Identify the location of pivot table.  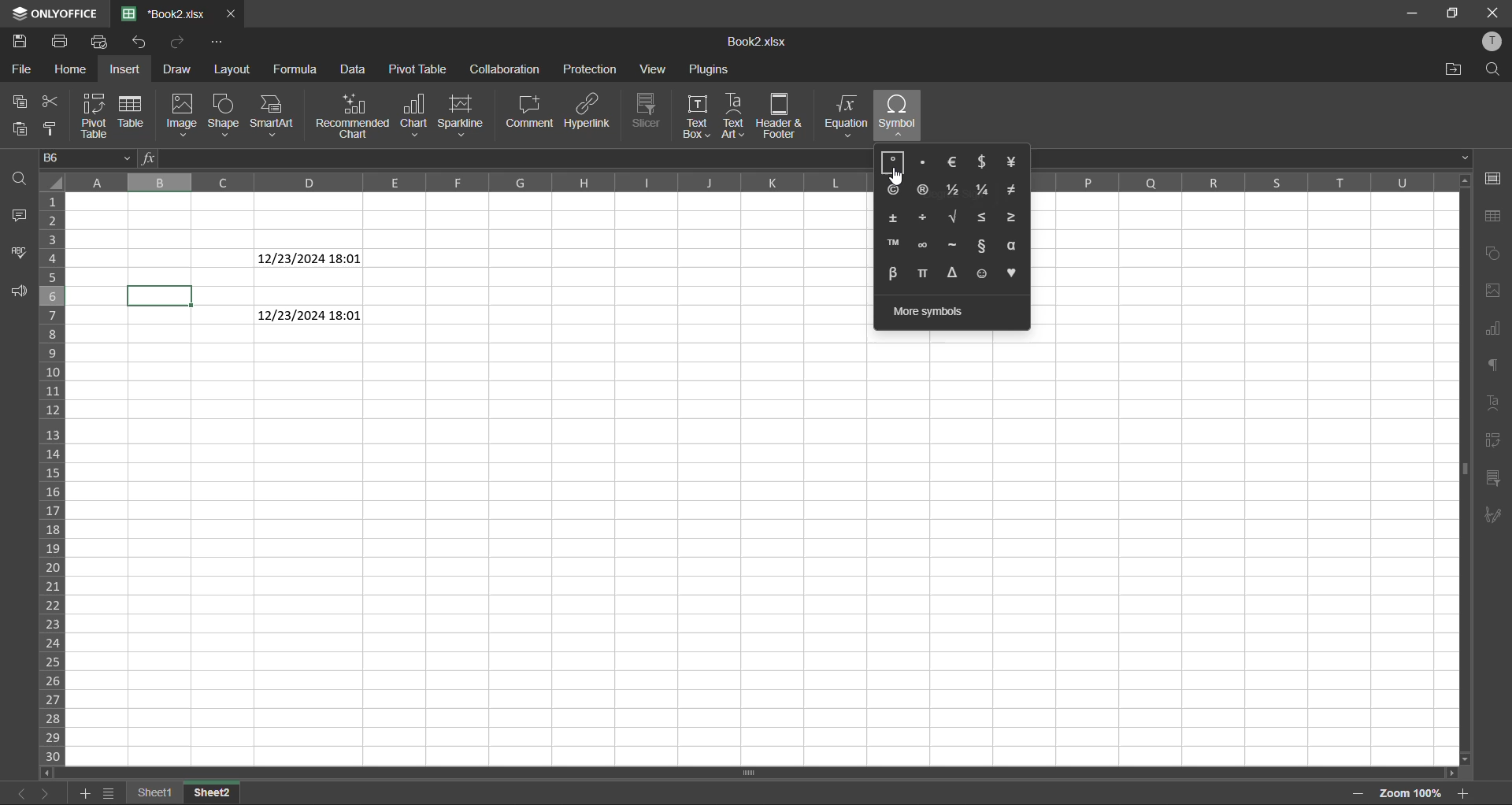
(1492, 444).